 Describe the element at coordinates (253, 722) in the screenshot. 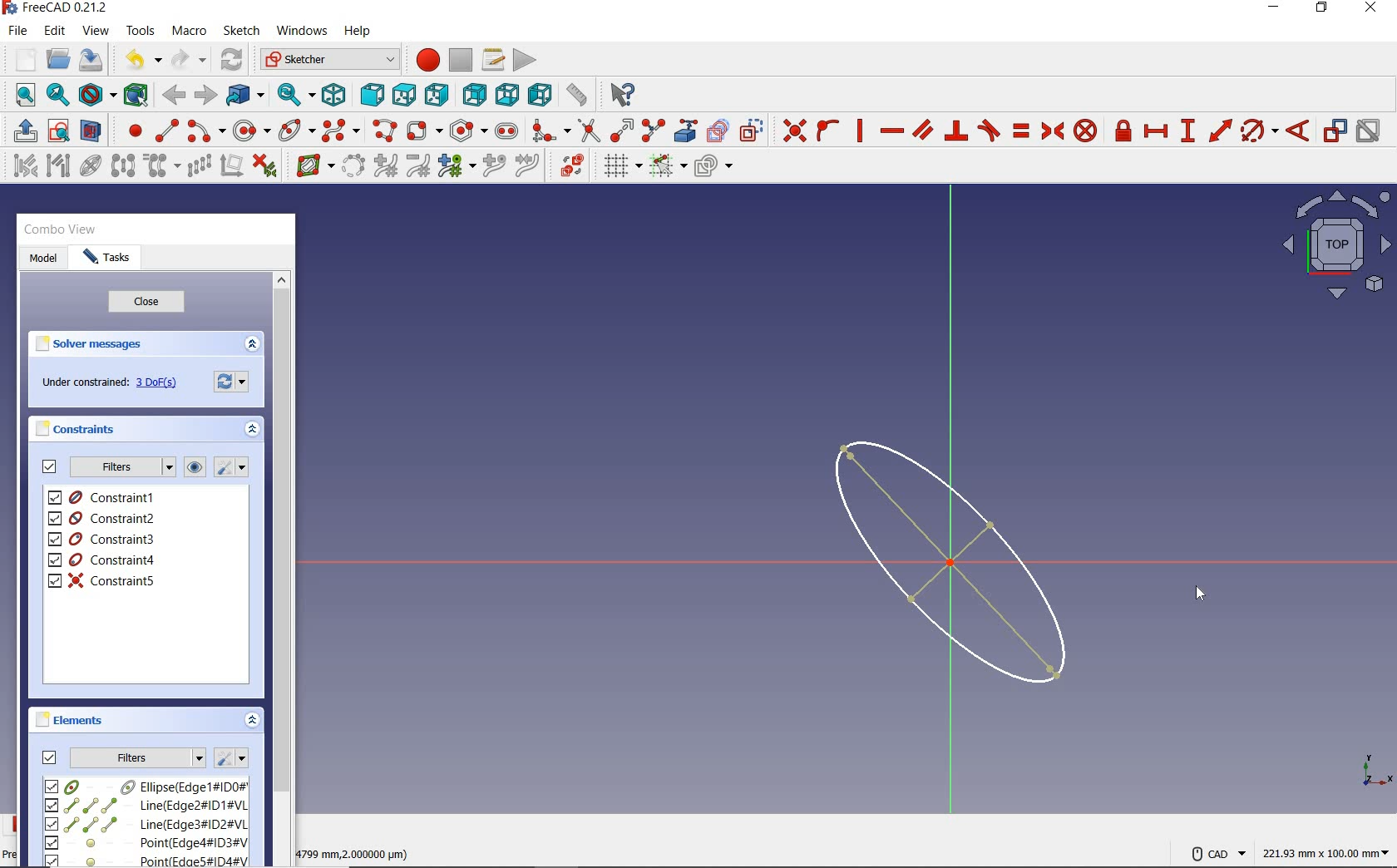

I see `collapse` at that location.